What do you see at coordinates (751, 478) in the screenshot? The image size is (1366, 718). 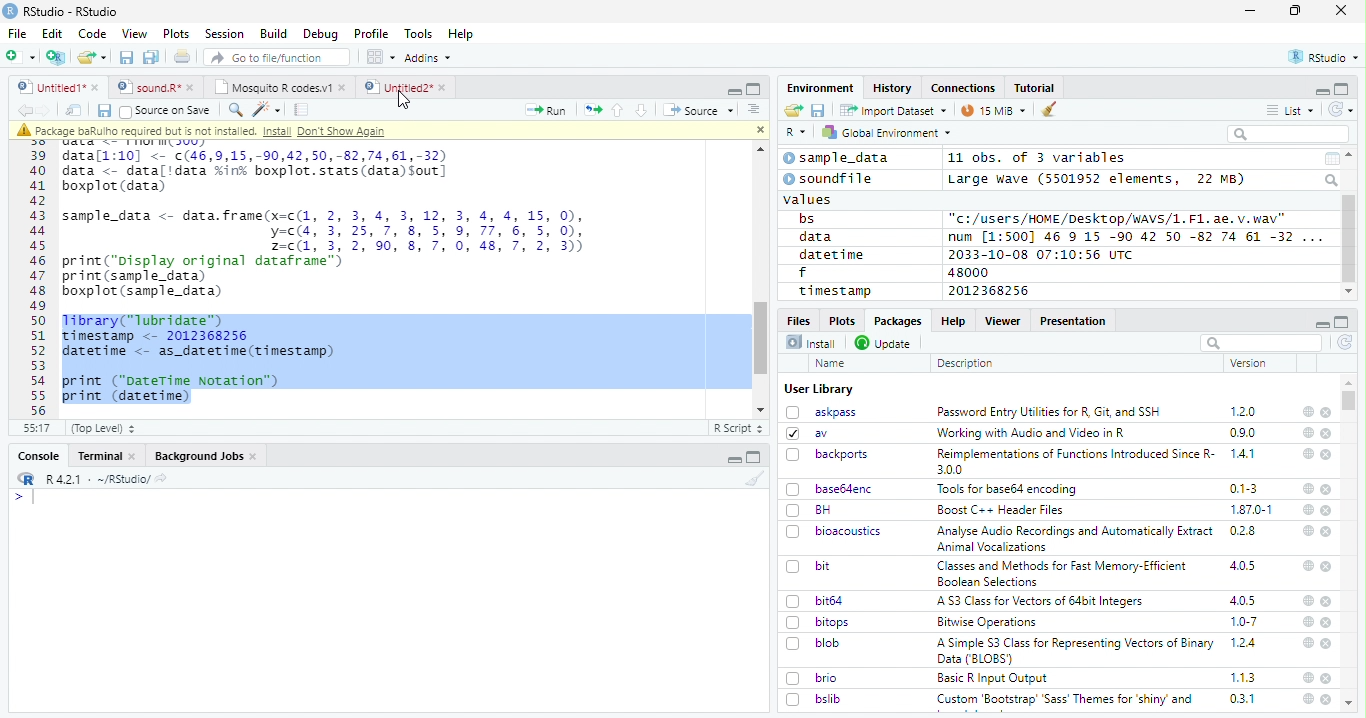 I see `clear workspace` at bounding box center [751, 478].